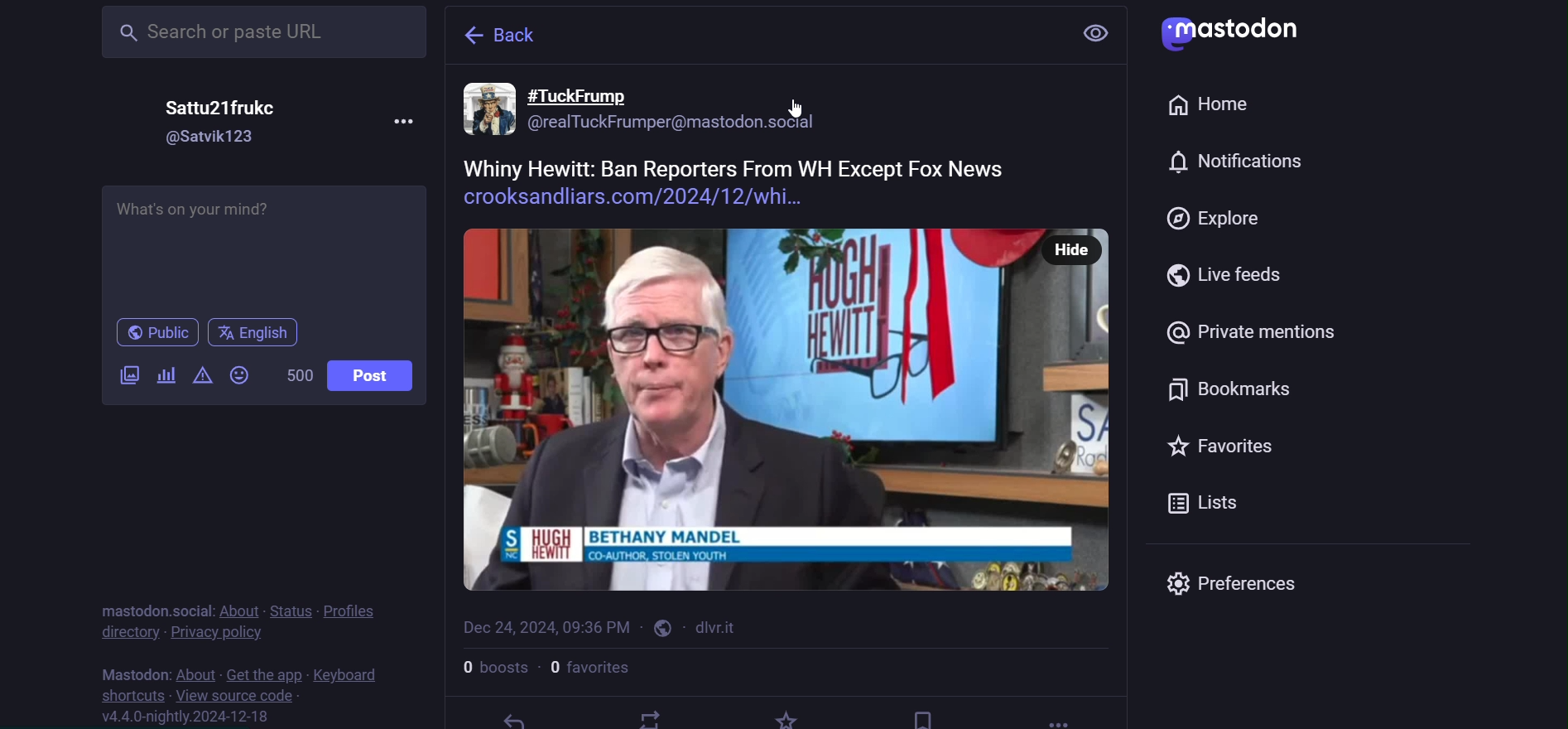  Describe the element at coordinates (236, 610) in the screenshot. I see `about` at that location.